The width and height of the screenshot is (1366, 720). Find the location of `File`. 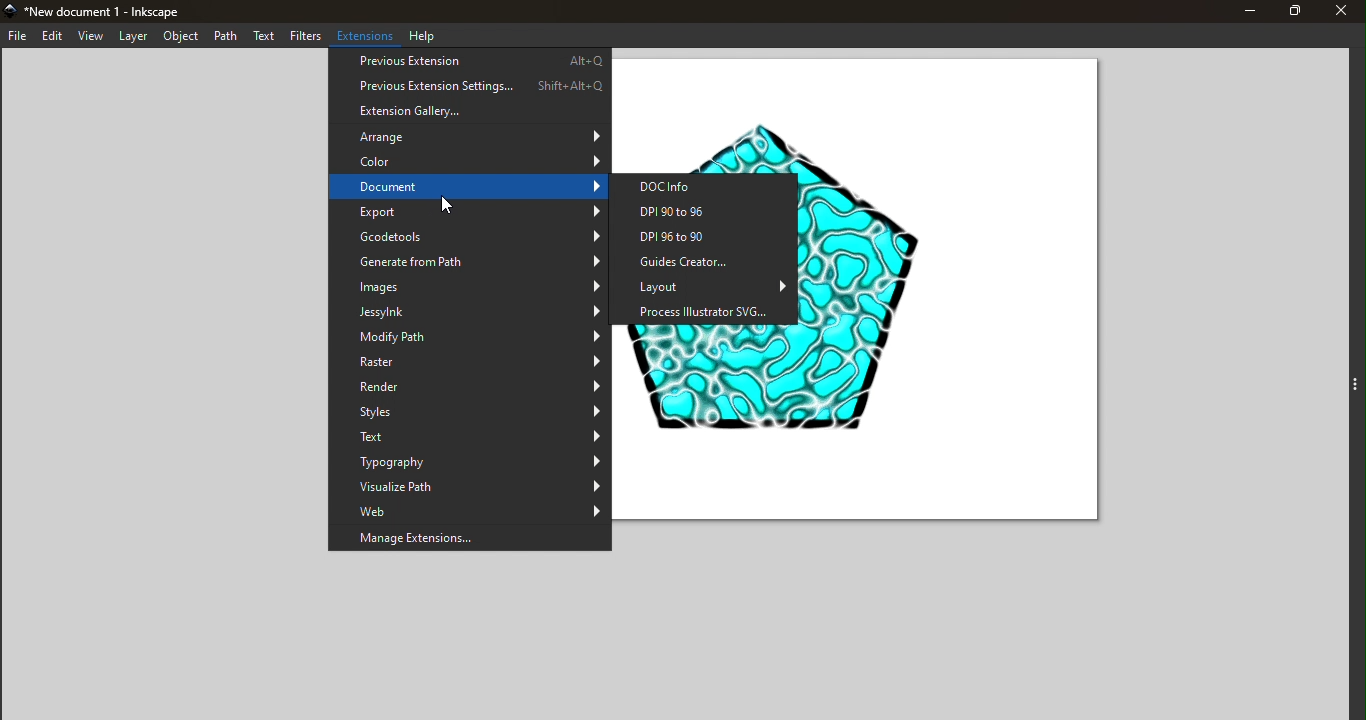

File is located at coordinates (18, 35).